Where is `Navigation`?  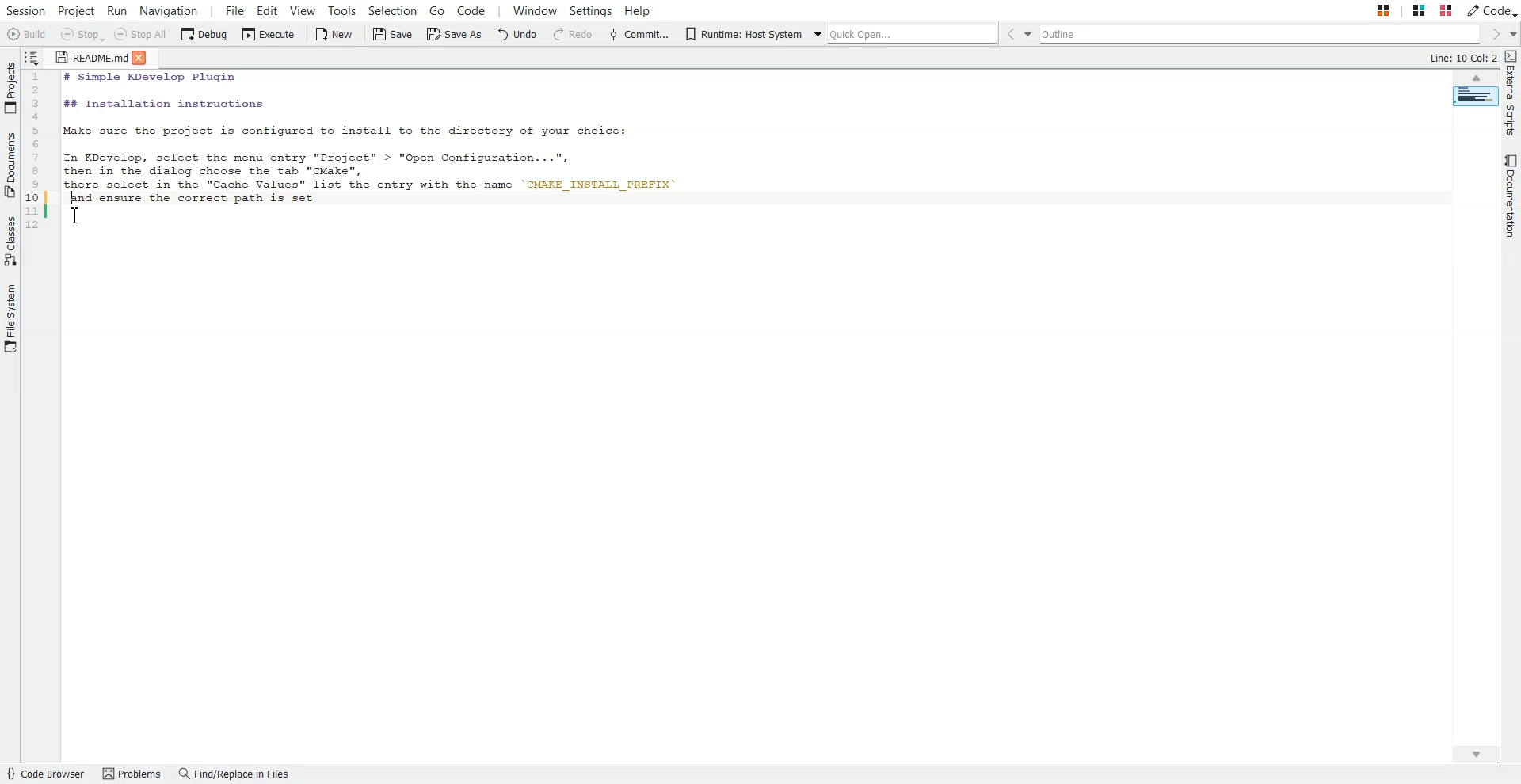
Navigation is located at coordinates (169, 10).